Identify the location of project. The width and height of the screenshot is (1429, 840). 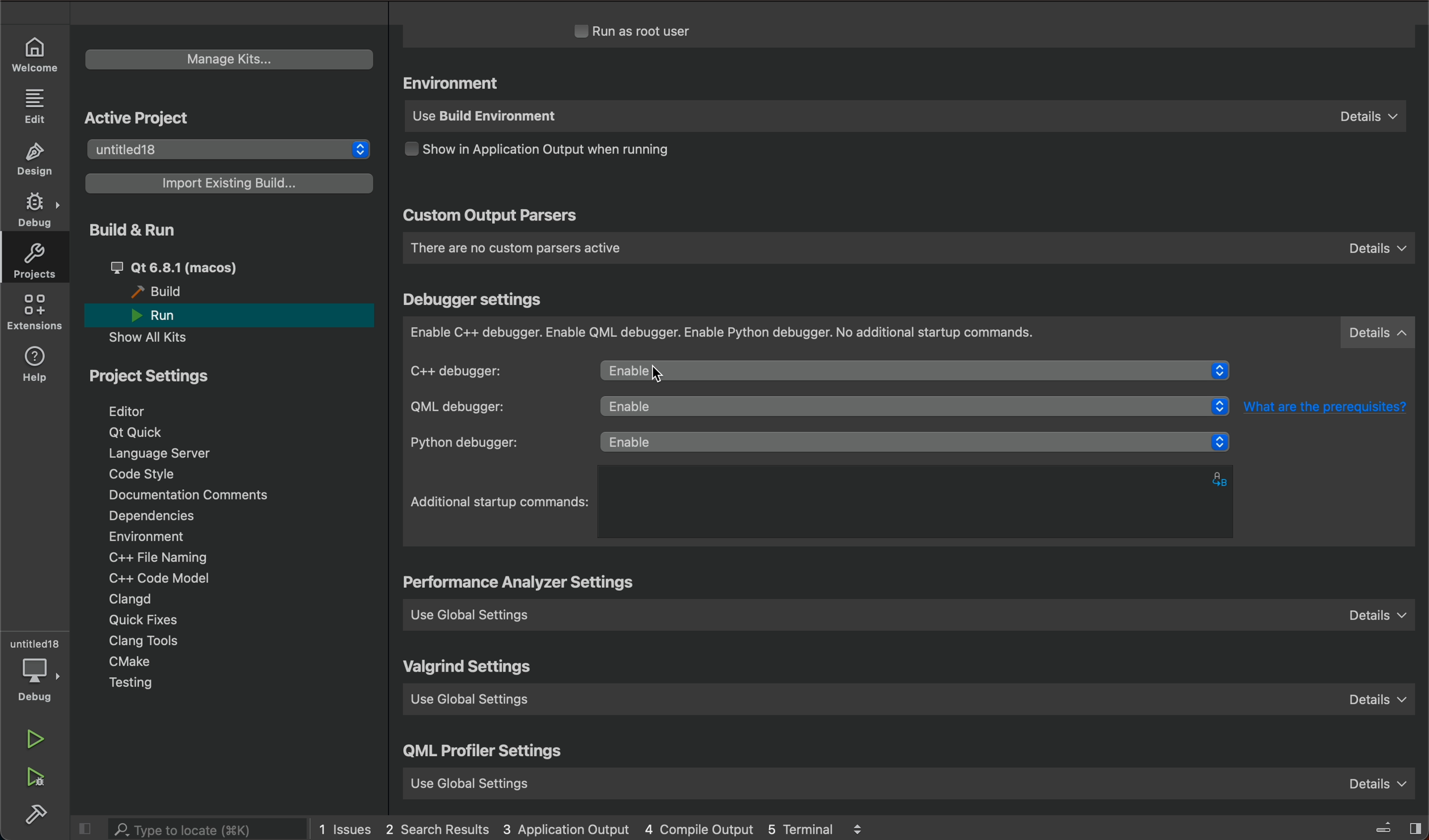
(157, 380).